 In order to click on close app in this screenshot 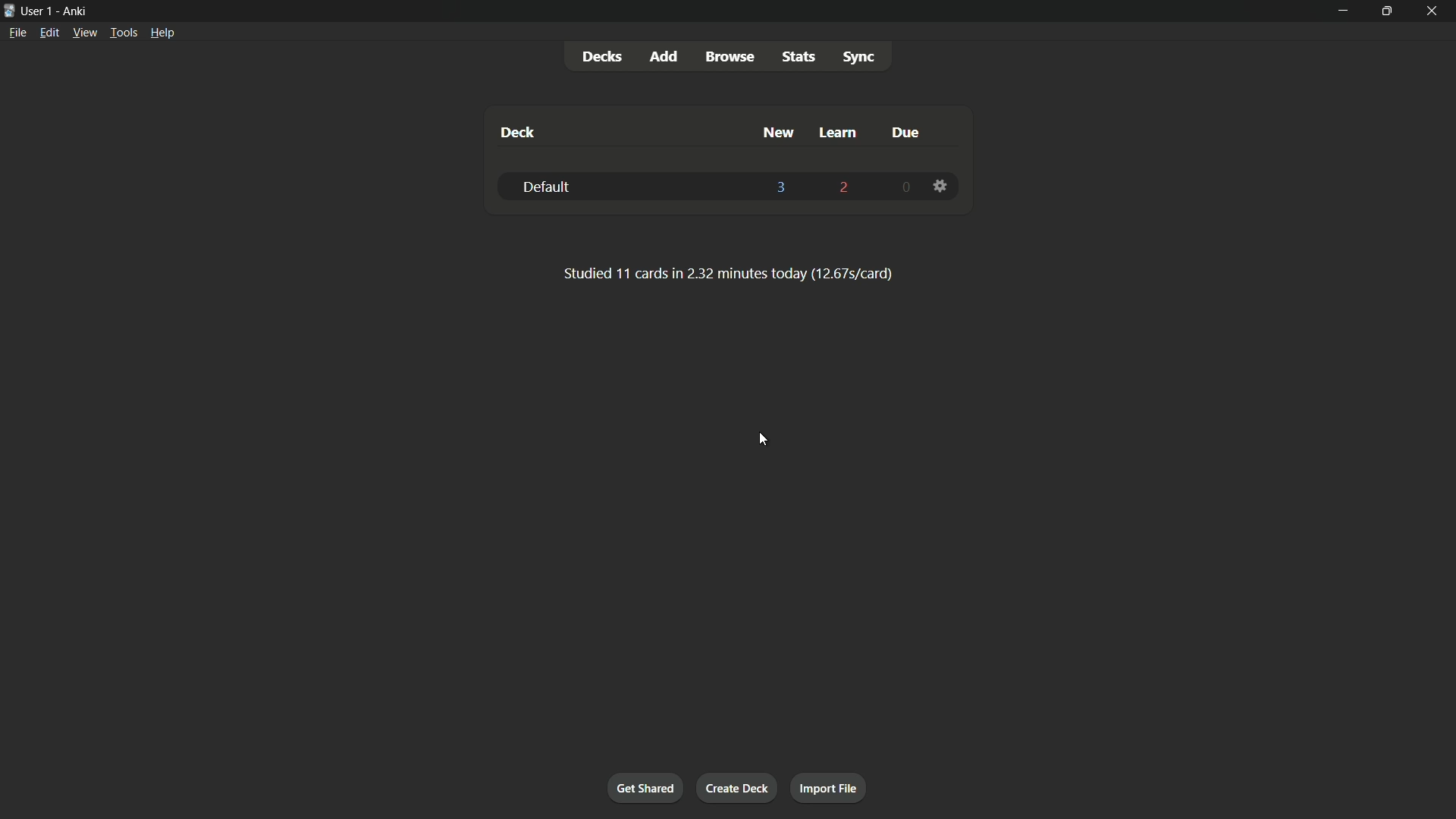, I will do `click(1434, 10)`.